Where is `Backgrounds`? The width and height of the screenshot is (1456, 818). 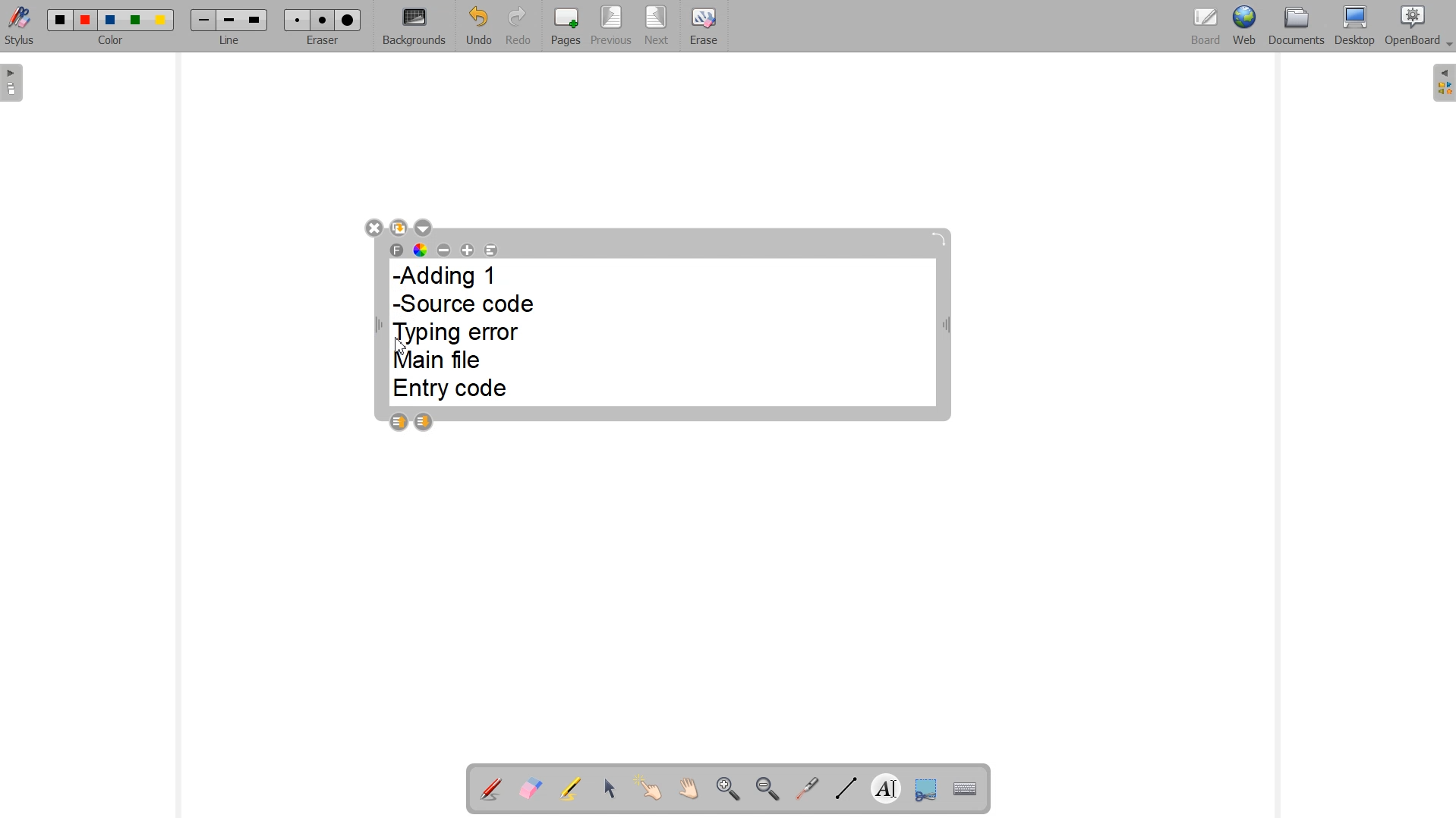
Backgrounds is located at coordinates (414, 27).